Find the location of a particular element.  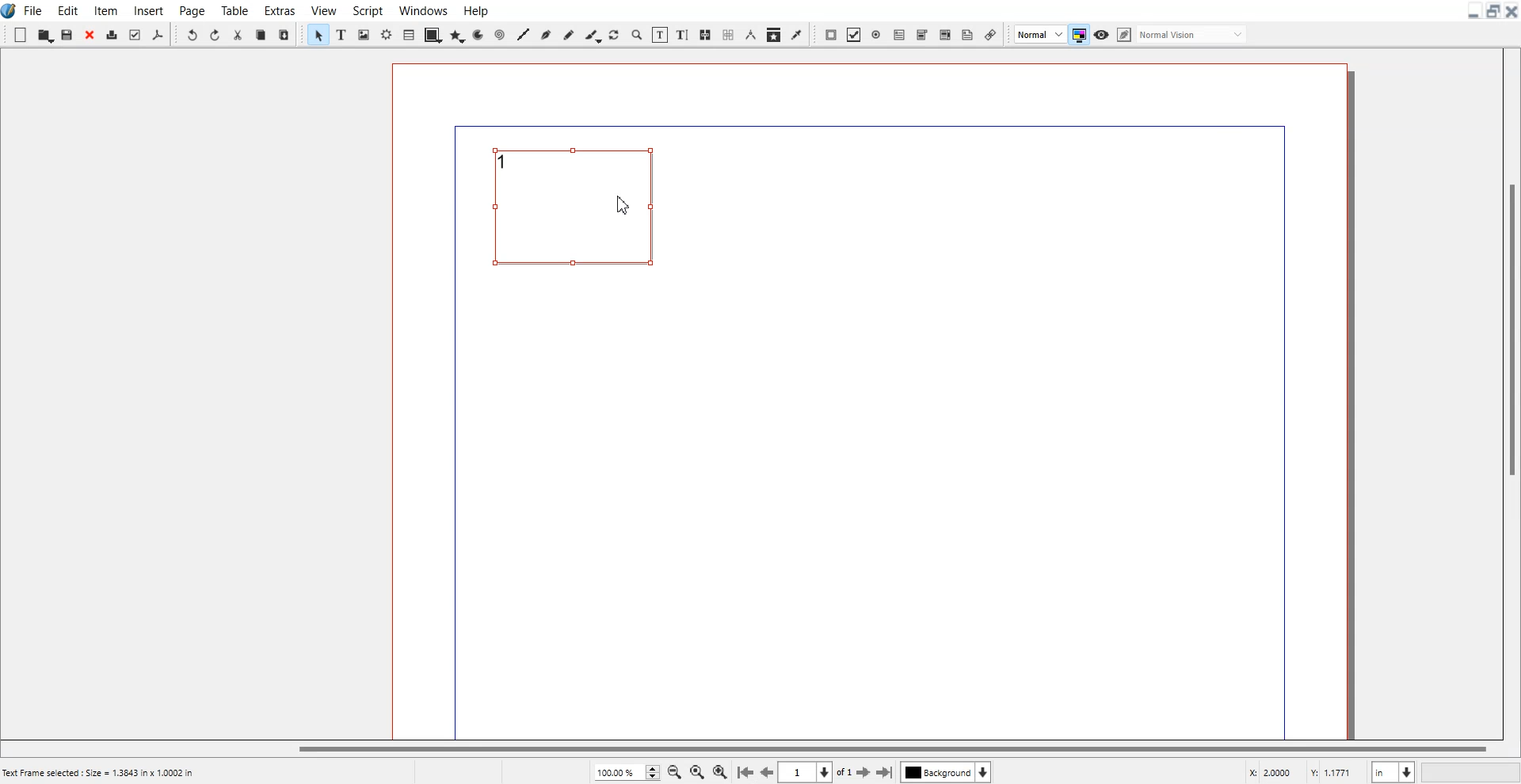

Edit Text is located at coordinates (684, 35).